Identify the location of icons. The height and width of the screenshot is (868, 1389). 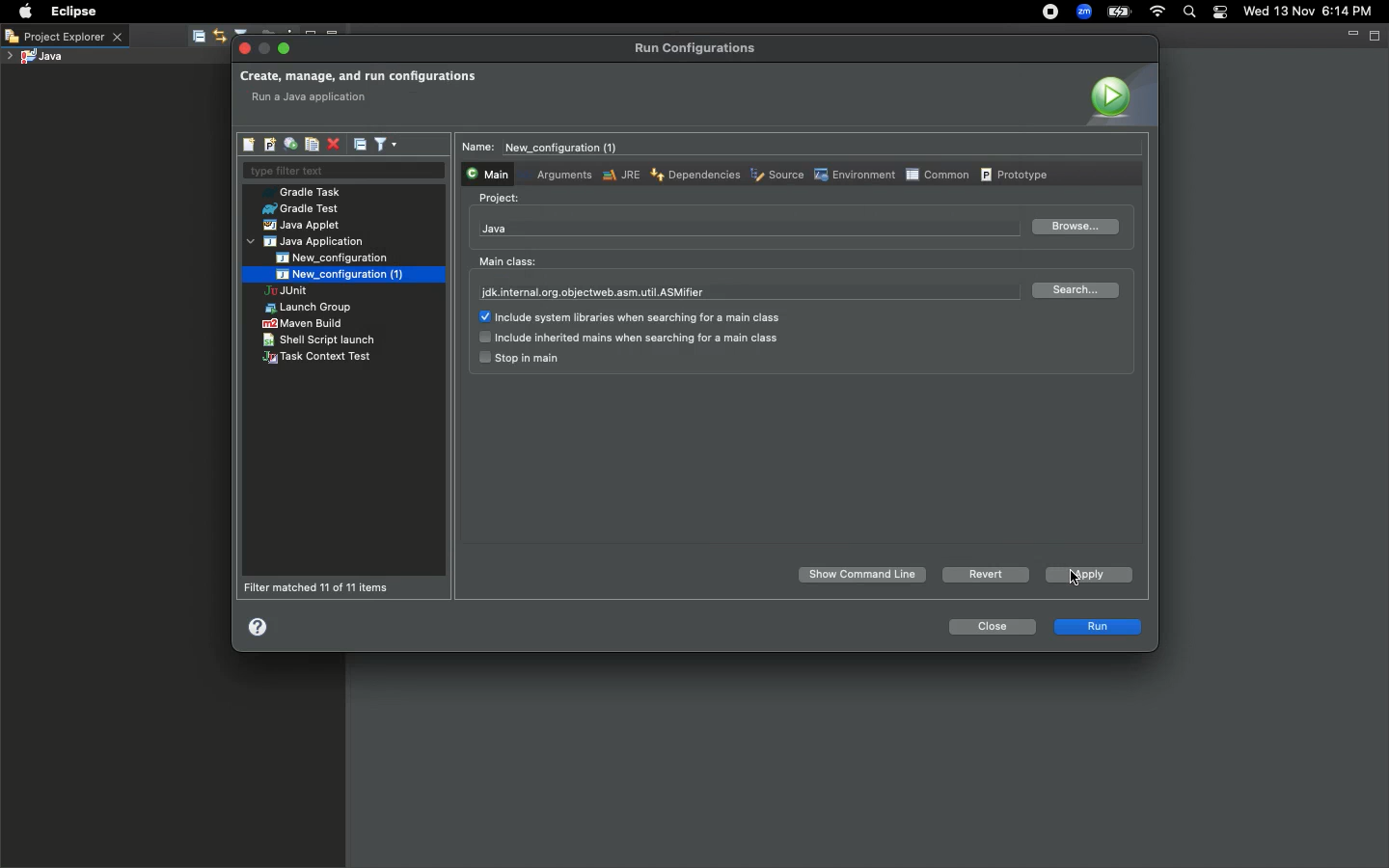
(237, 32).